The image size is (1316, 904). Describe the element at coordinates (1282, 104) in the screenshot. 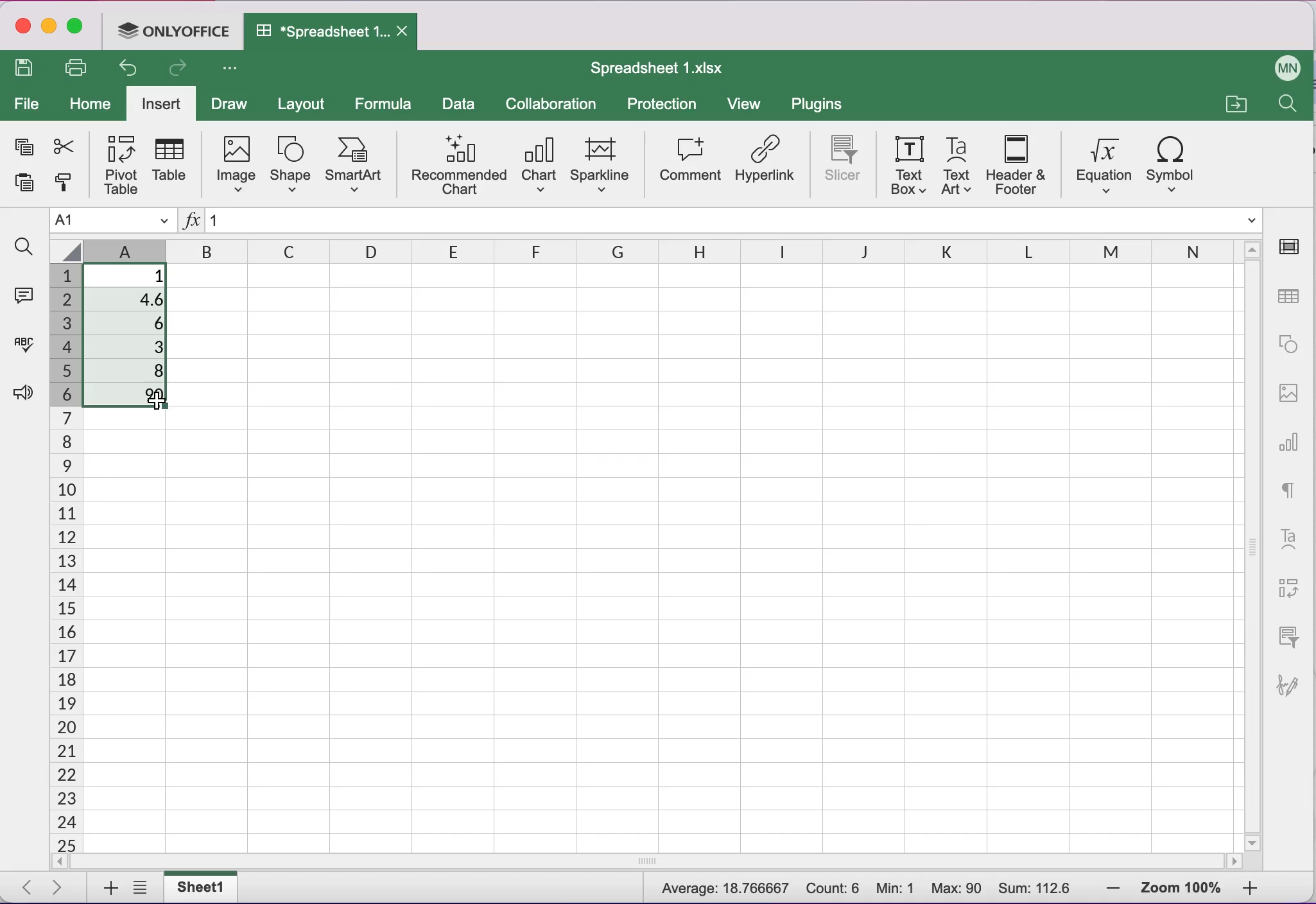

I see `find` at that location.